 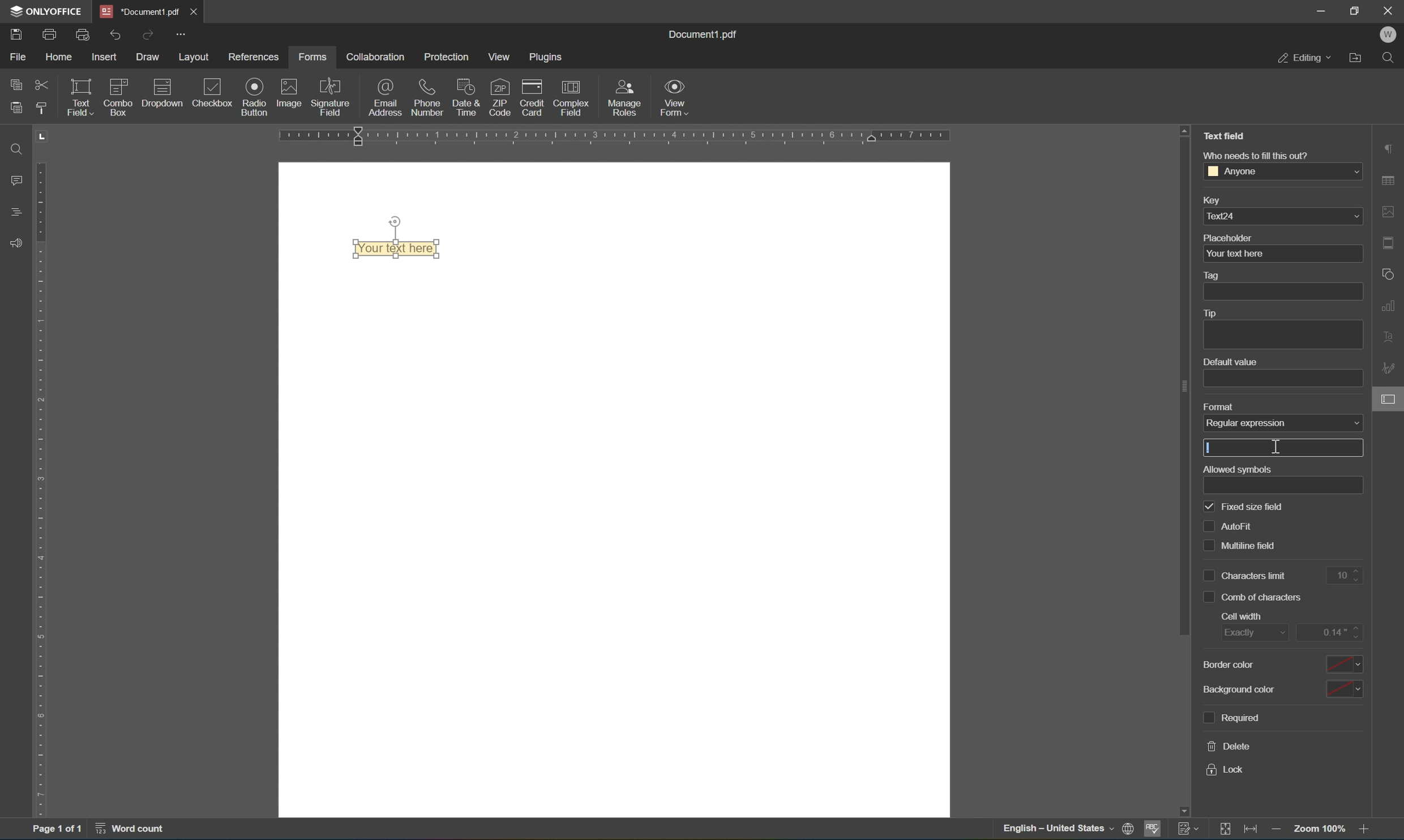 What do you see at coordinates (1282, 449) in the screenshot?
I see `add` at bounding box center [1282, 449].